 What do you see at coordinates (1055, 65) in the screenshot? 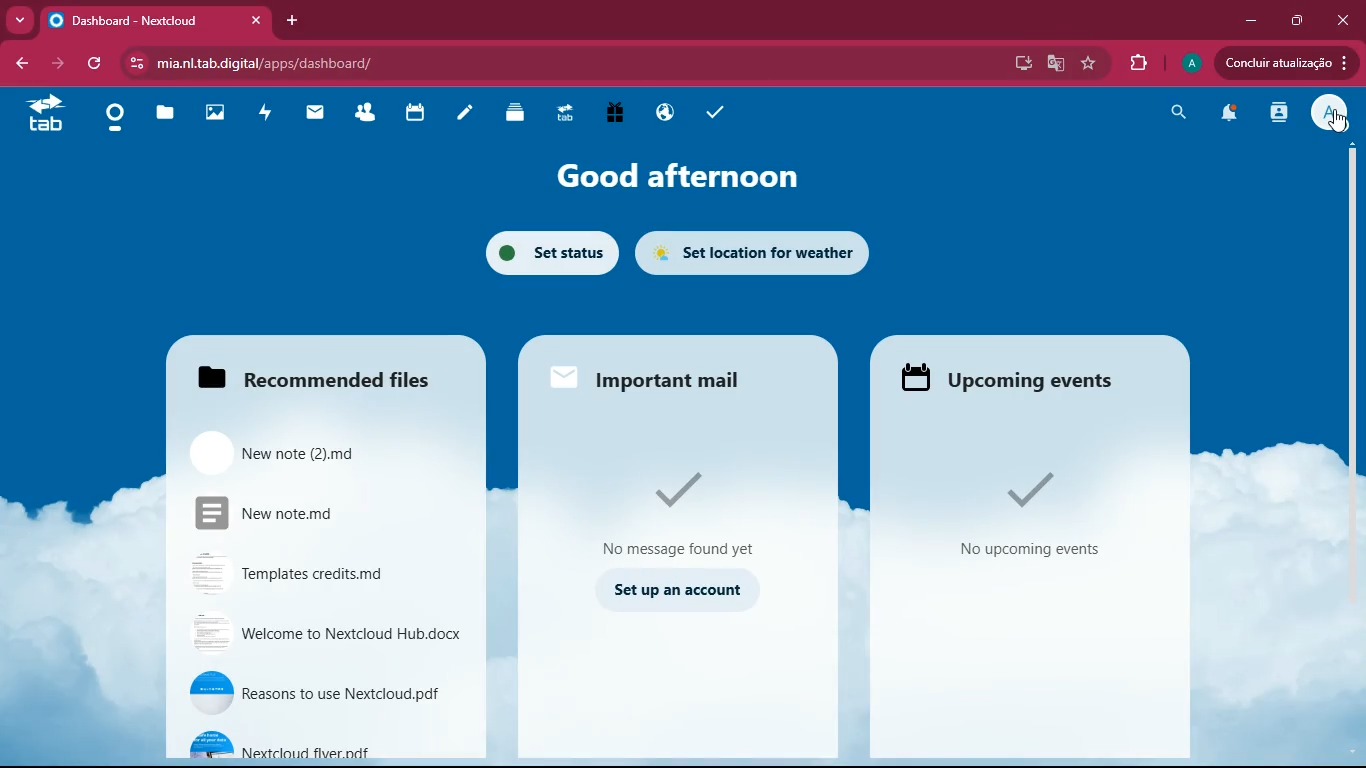
I see `google translate` at bounding box center [1055, 65].